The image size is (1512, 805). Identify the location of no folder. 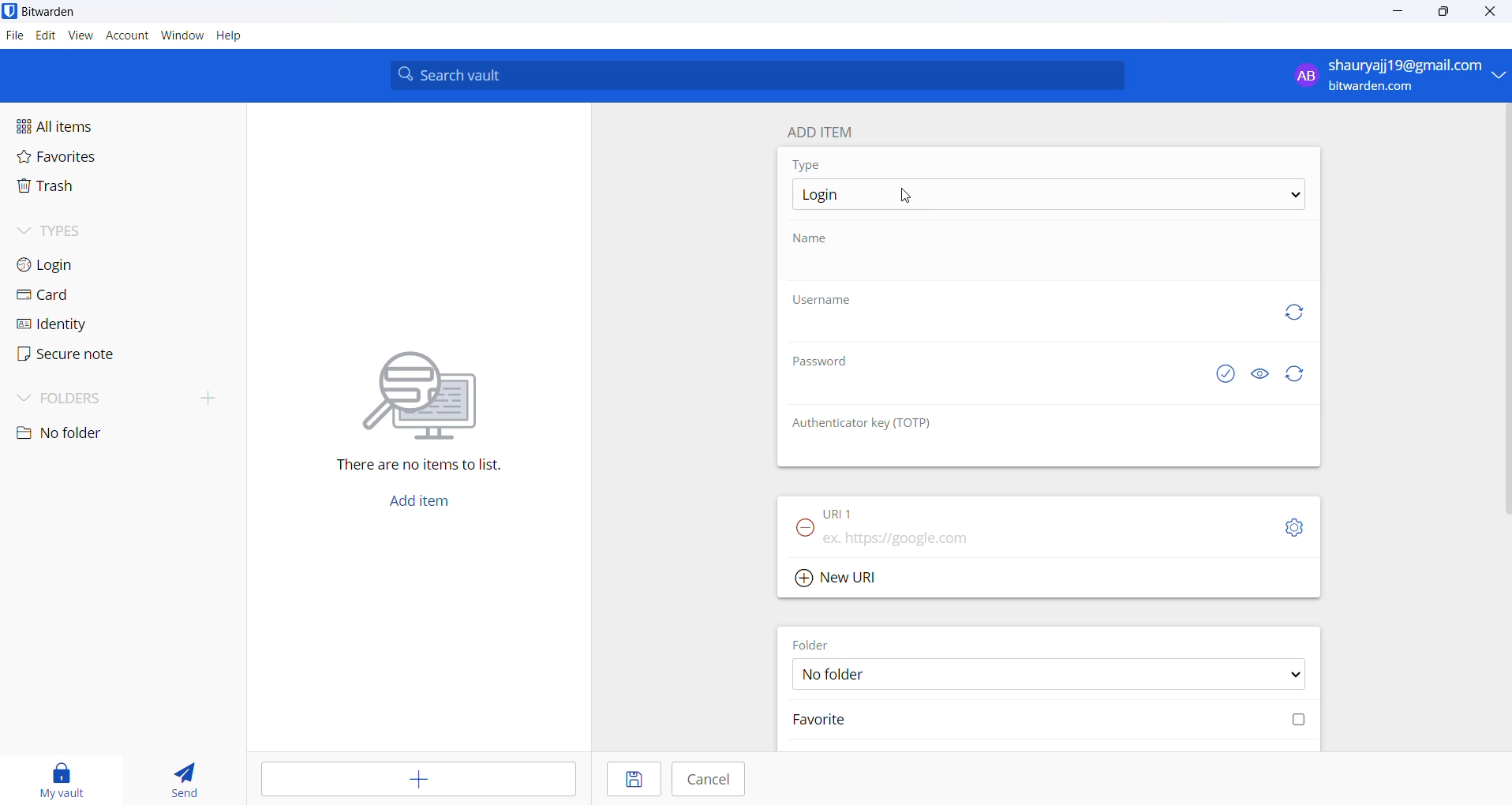
(93, 434).